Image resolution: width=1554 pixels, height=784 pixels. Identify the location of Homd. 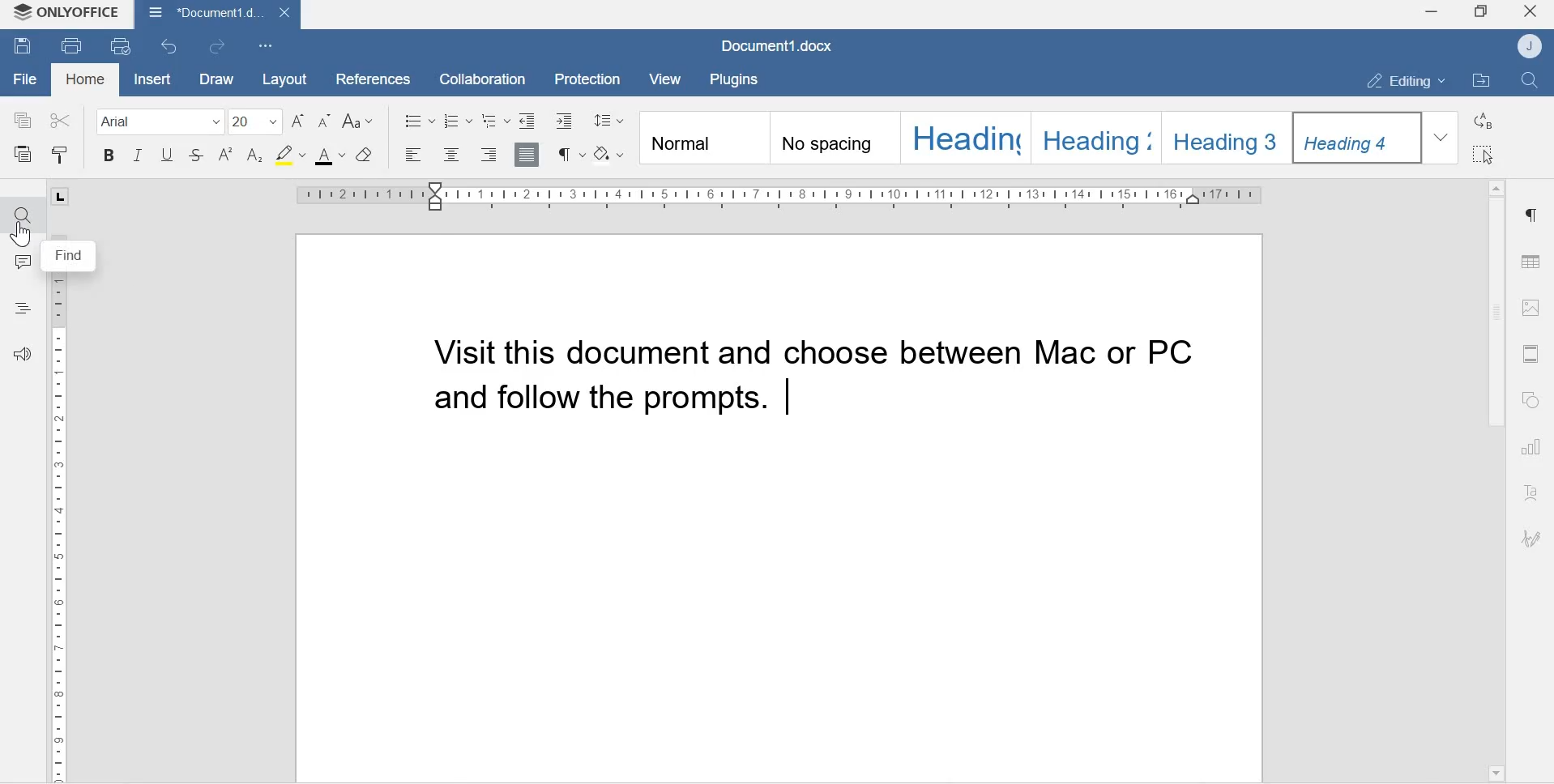
(86, 81).